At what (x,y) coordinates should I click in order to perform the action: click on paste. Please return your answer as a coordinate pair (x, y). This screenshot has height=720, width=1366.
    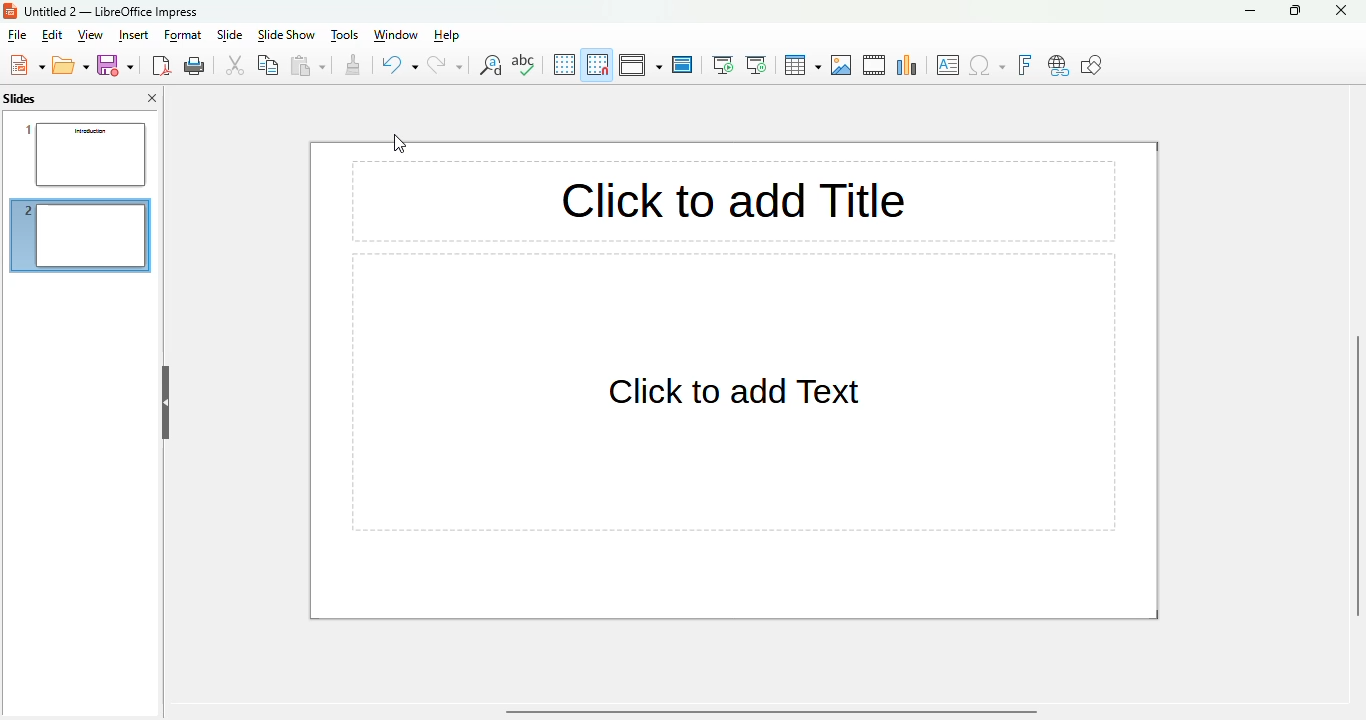
    Looking at the image, I should click on (309, 65).